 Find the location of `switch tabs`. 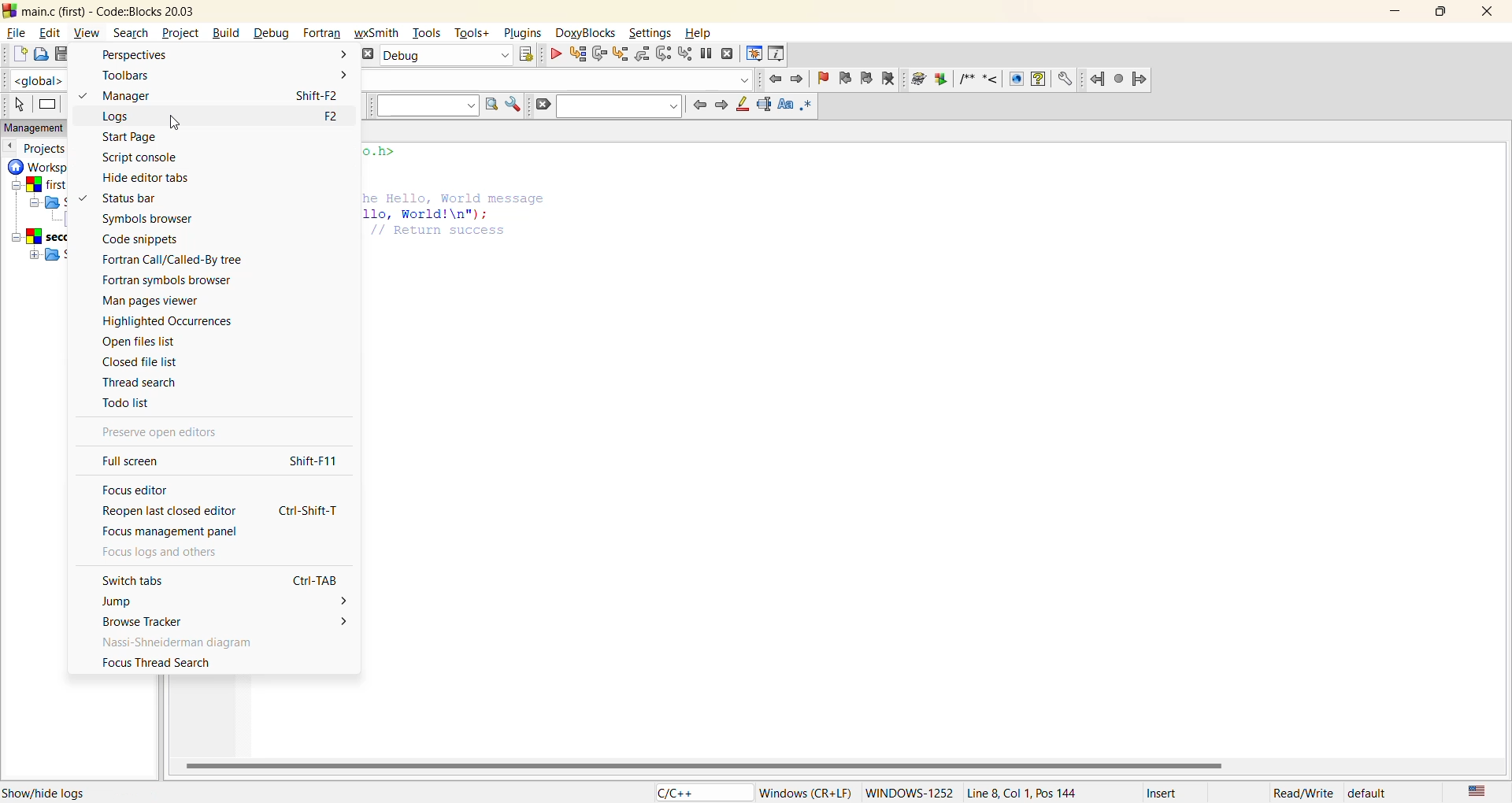

switch tabs is located at coordinates (147, 582).